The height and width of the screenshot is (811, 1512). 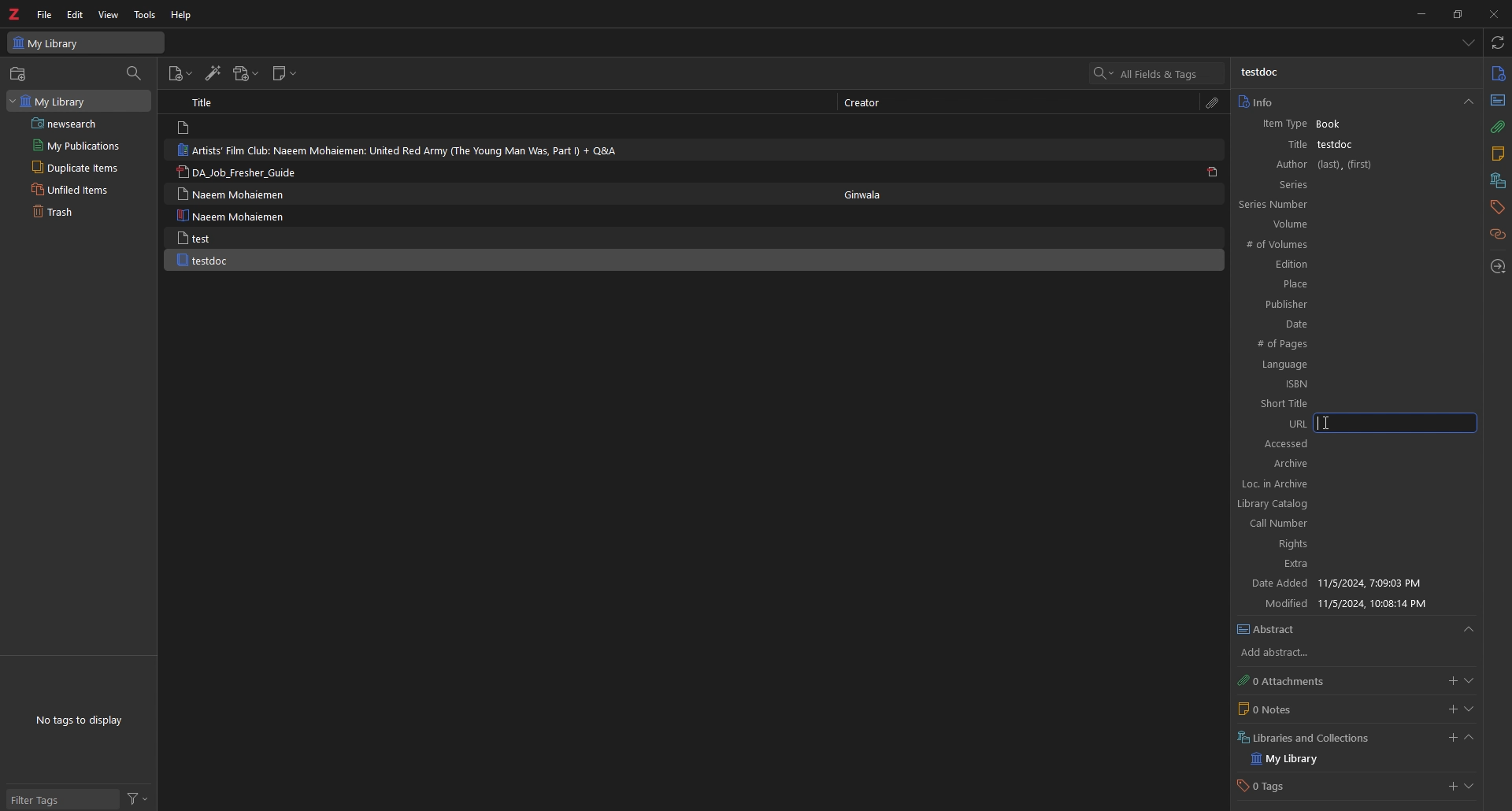 I want to click on filter tags, so click(x=61, y=800).